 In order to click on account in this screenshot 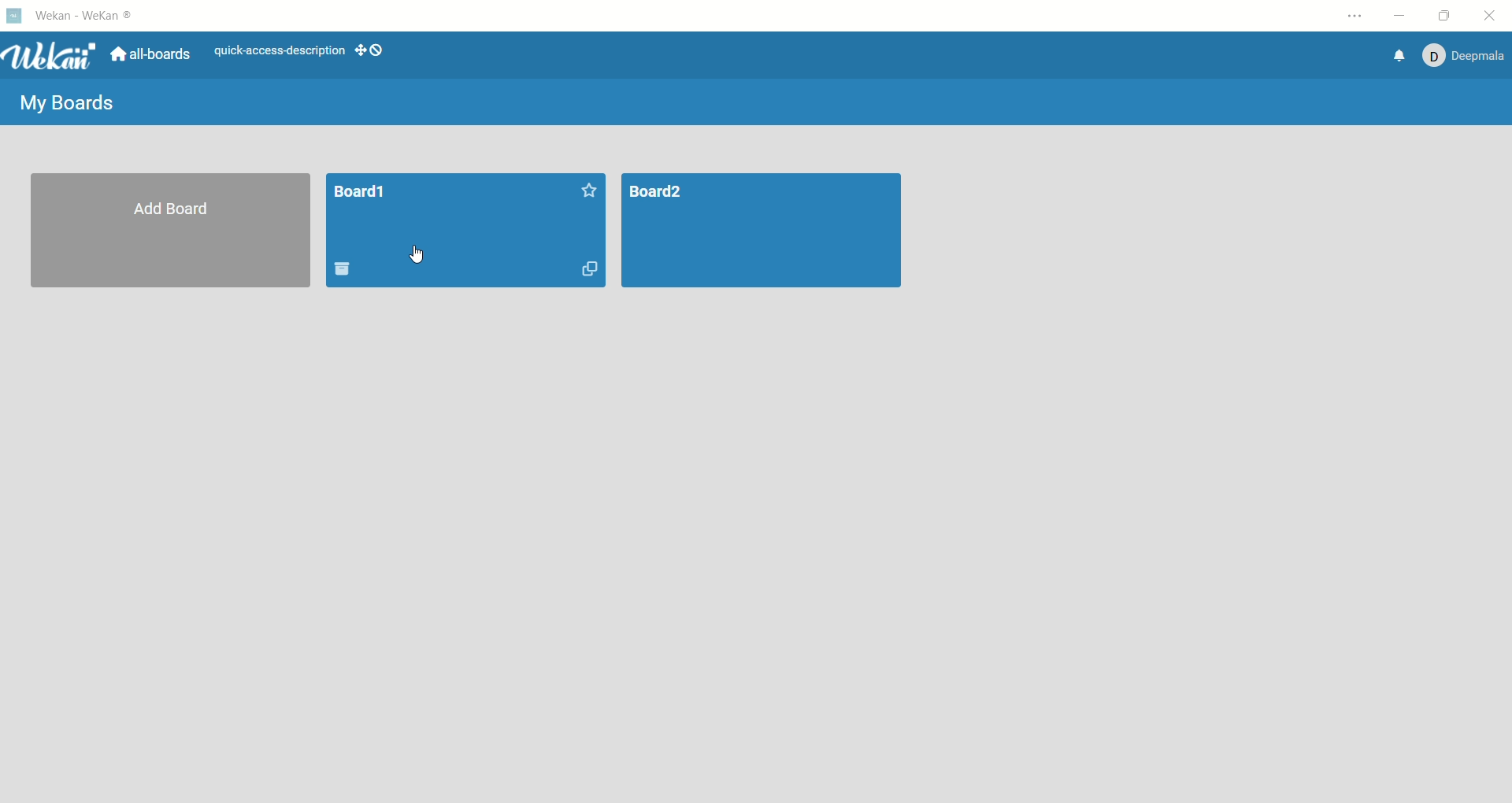, I will do `click(1462, 57)`.